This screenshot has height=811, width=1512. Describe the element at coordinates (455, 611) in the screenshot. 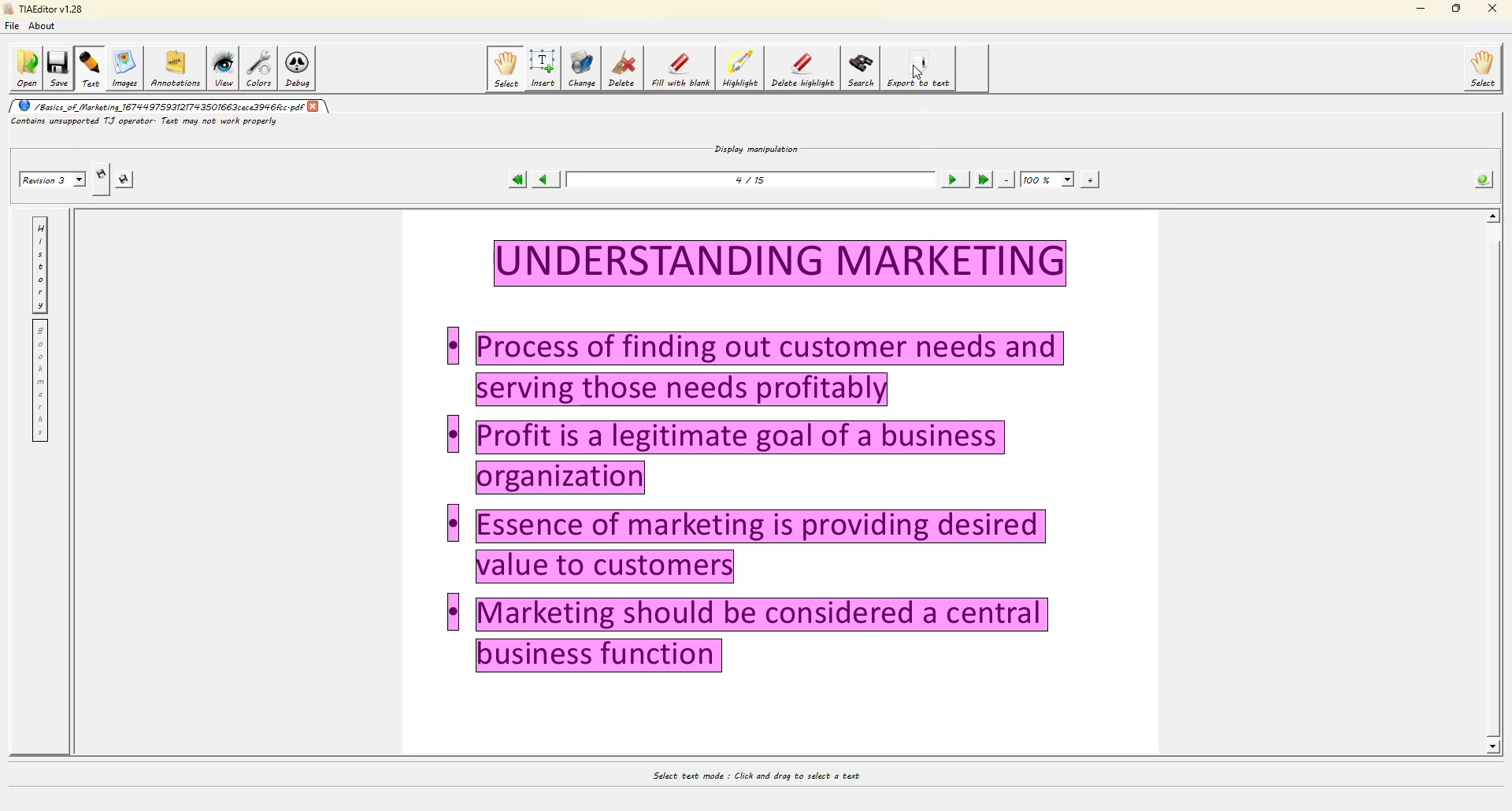

I see `` at that location.